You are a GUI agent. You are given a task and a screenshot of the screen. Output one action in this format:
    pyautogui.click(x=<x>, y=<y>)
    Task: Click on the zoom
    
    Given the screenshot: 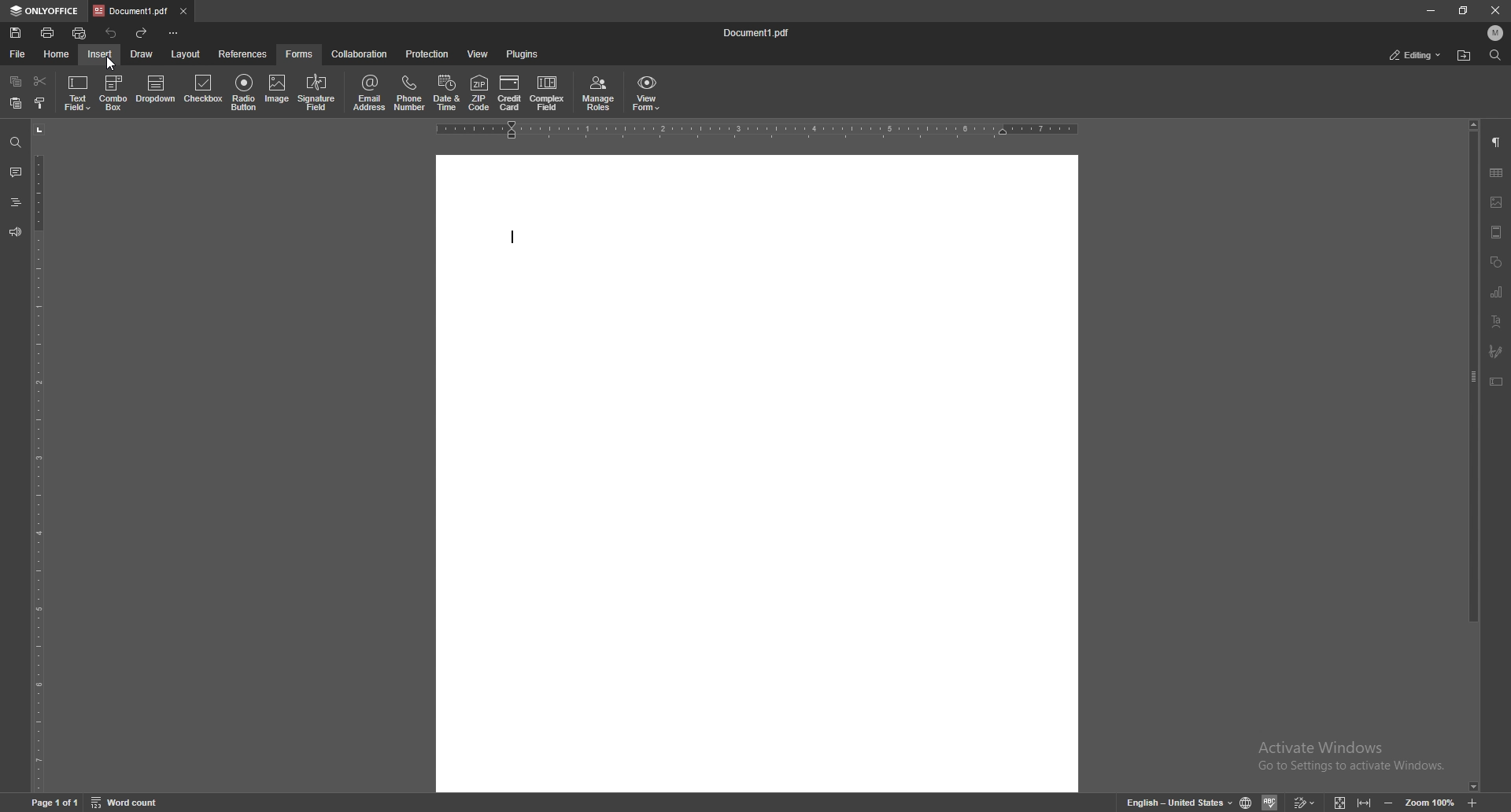 What is the action you would take?
    pyautogui.click(x=1430, y=801)
    